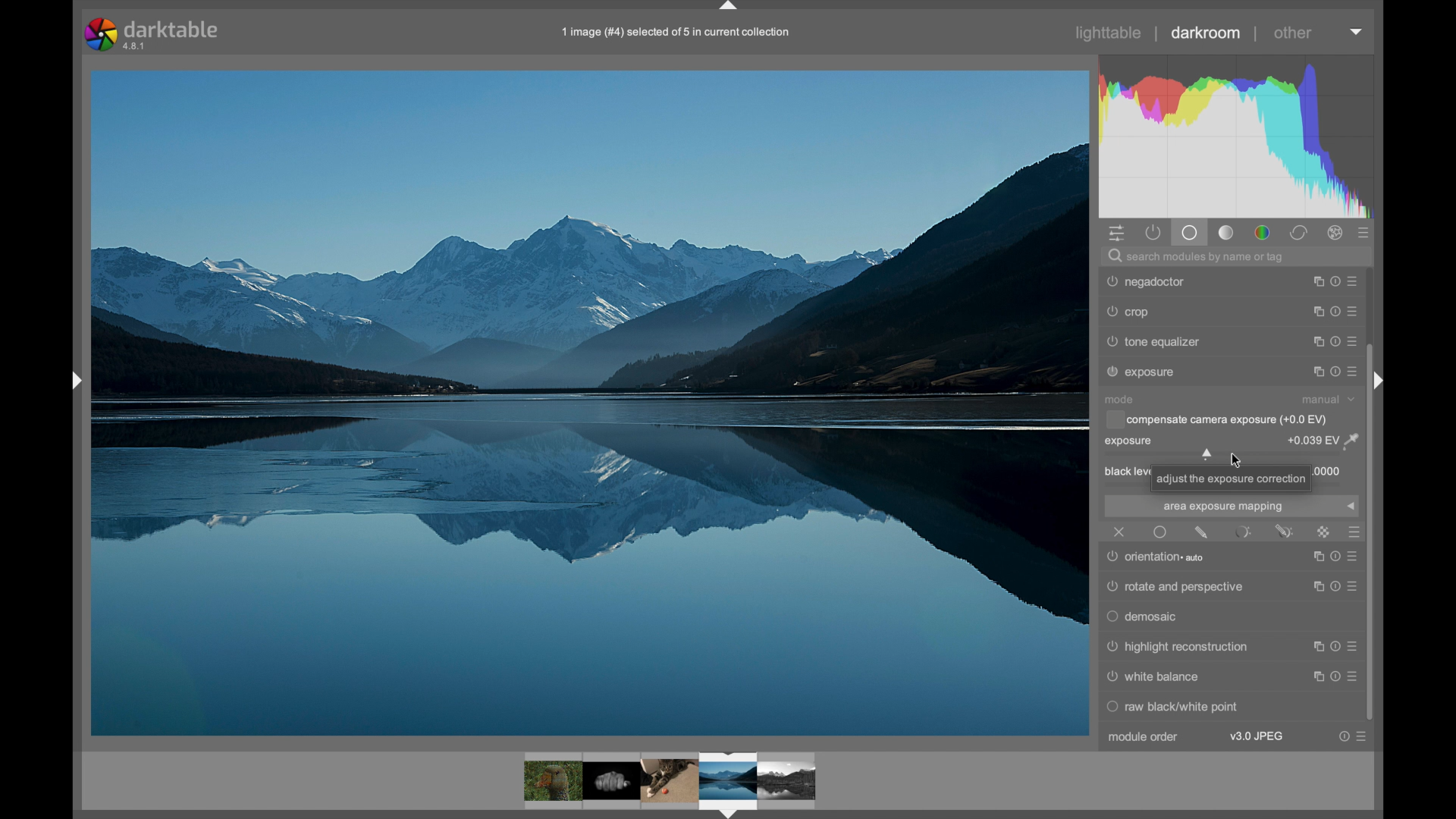 The height and width of the screenshot is (819, 1456). What do you see at coordinates (1231, 479) in the screenshot?
I see `tooltip` at bounding box center [1231, 479].